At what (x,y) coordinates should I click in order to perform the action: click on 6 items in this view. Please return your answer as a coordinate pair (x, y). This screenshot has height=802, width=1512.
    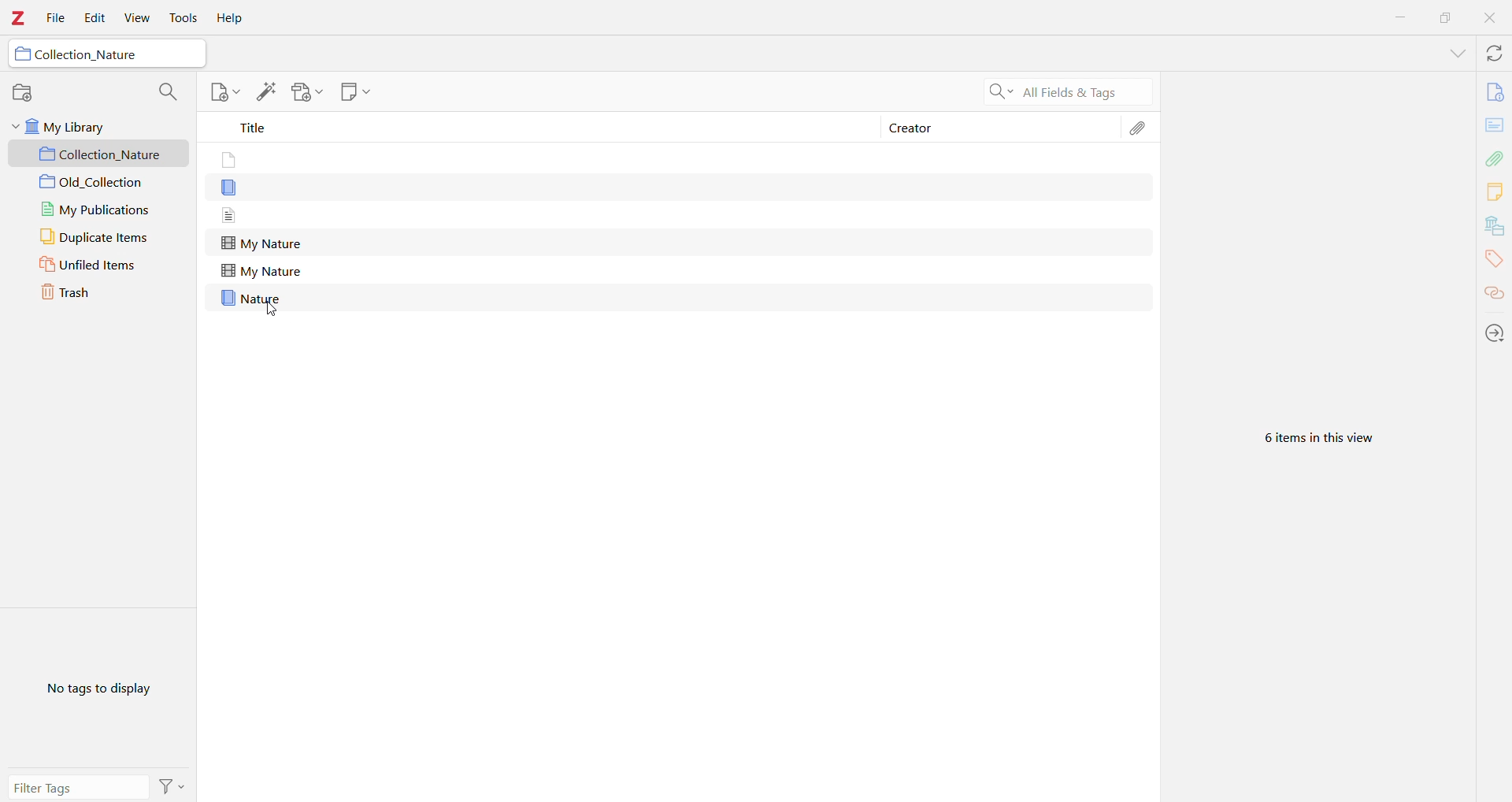
    Looking at the image, I should click on (1335, 438).